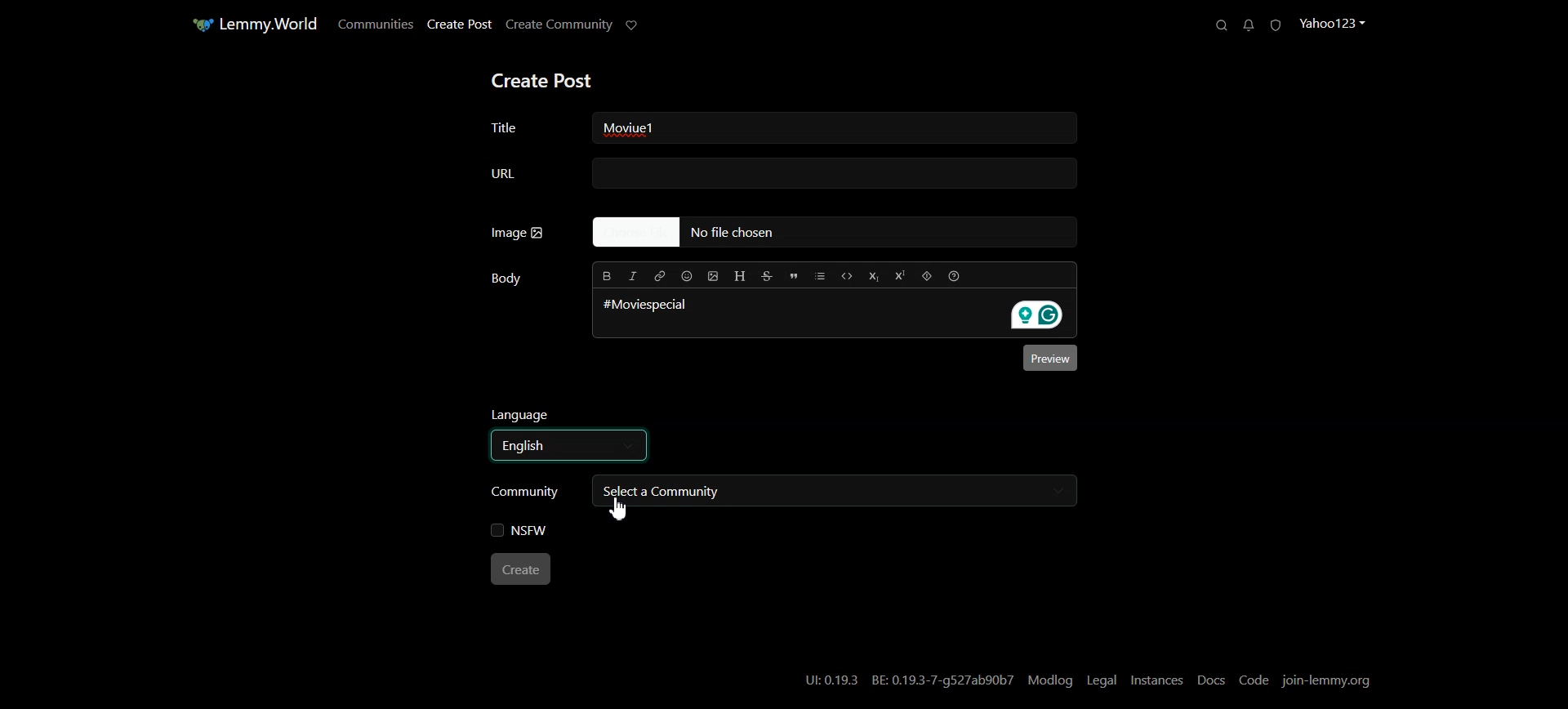 The height and width of the screenshot is (709, 1568). What do you see at coordinates (1051, 359) in the screenshot?
I see `Preview` at bounding box center [1051, 359].